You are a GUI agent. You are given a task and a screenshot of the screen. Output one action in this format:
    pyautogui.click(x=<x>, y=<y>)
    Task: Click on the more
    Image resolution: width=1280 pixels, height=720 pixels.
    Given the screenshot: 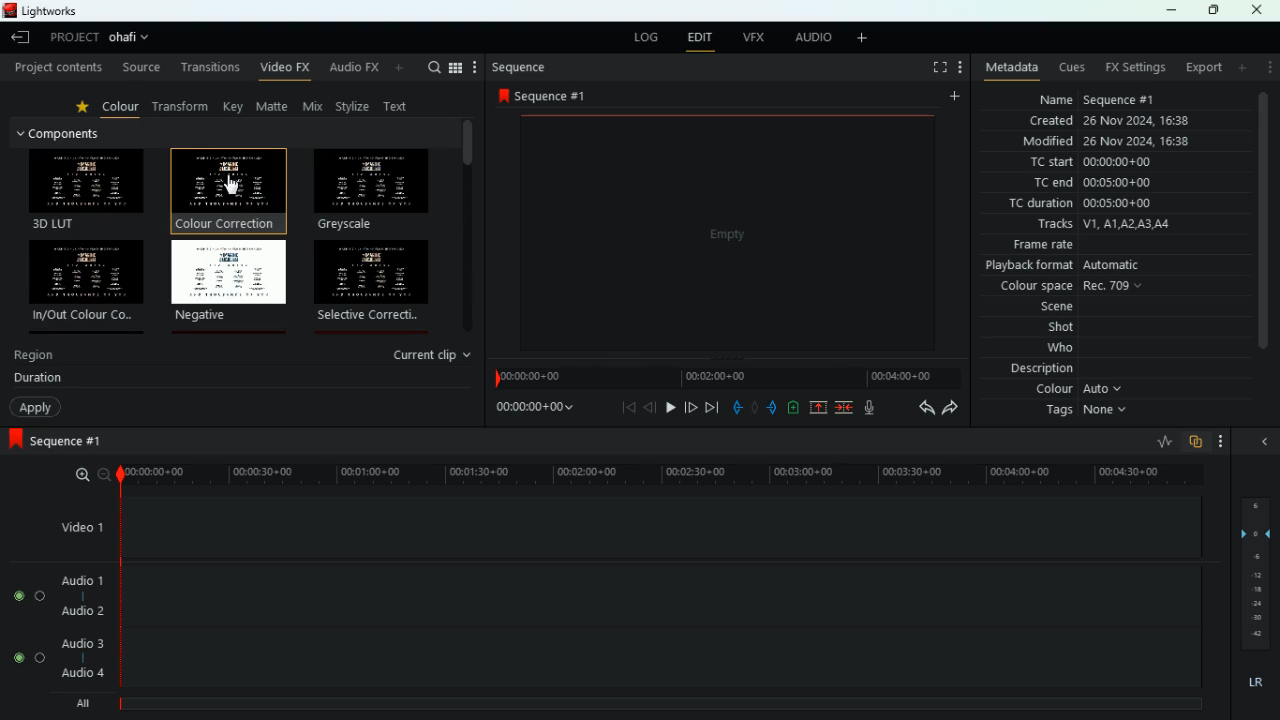 What is the action you would take?
    pyautogui.click(x=863, y=38)
    